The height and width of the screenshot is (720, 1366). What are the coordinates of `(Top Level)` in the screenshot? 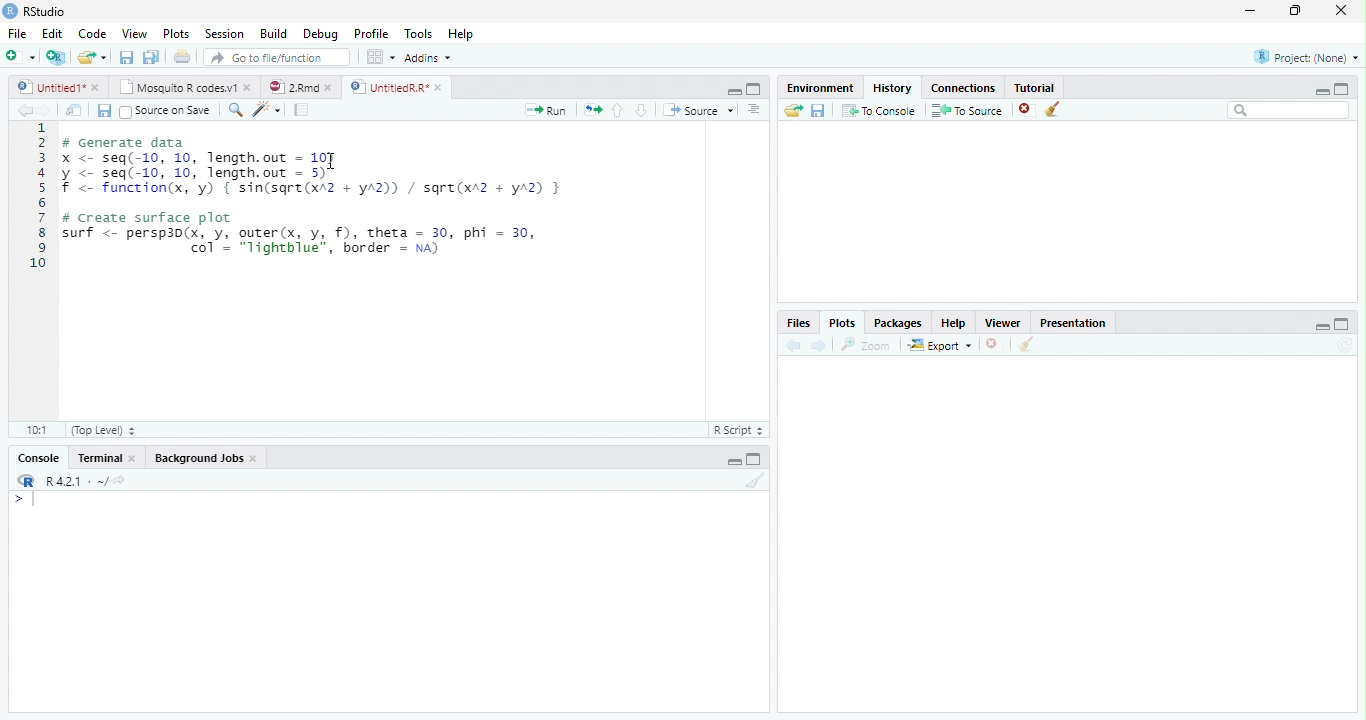 It's located at (105, 430).